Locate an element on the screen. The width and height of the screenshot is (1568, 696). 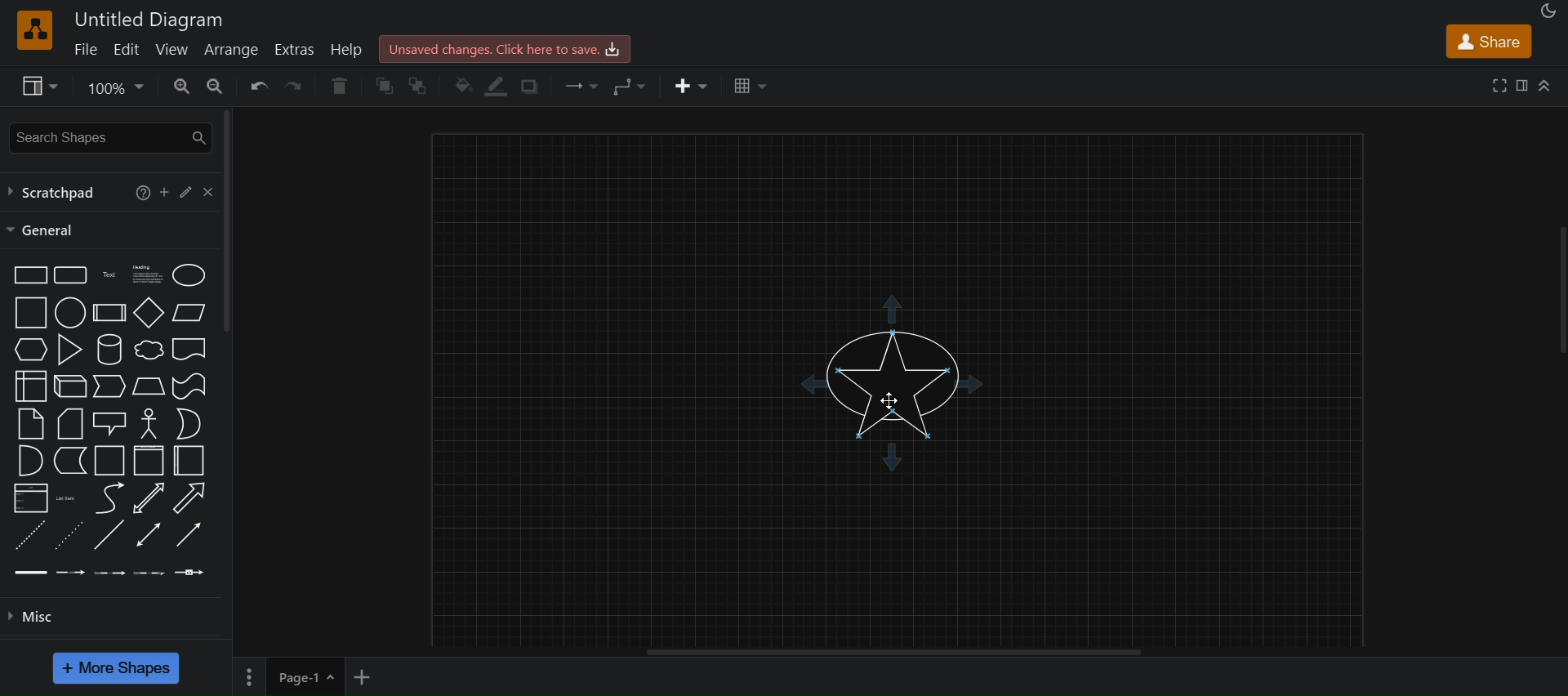
ubdo is located at coordinates (260, 86).